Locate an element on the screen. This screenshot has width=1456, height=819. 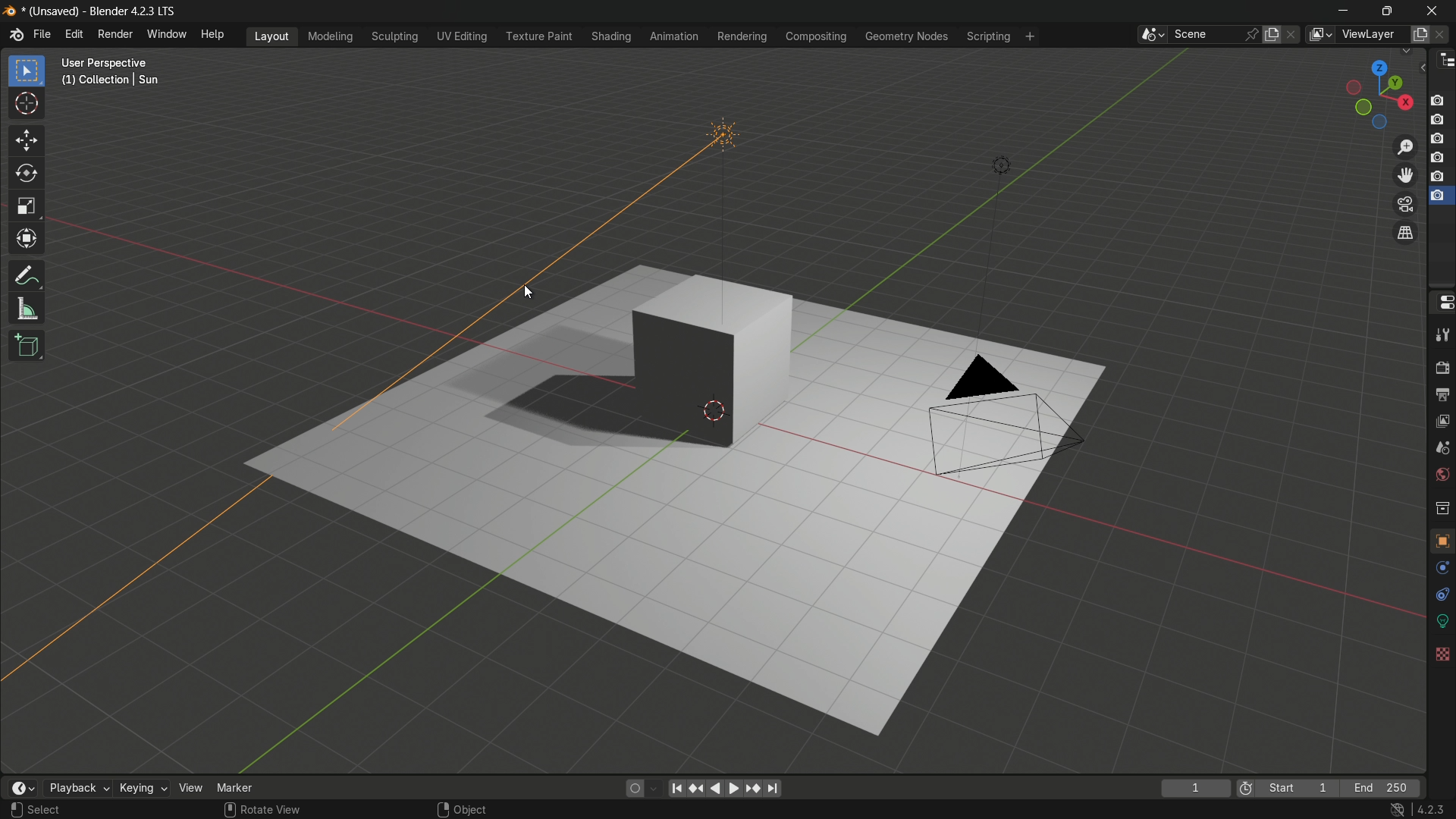
jump to keyframe is located at coordinates (752, 789).